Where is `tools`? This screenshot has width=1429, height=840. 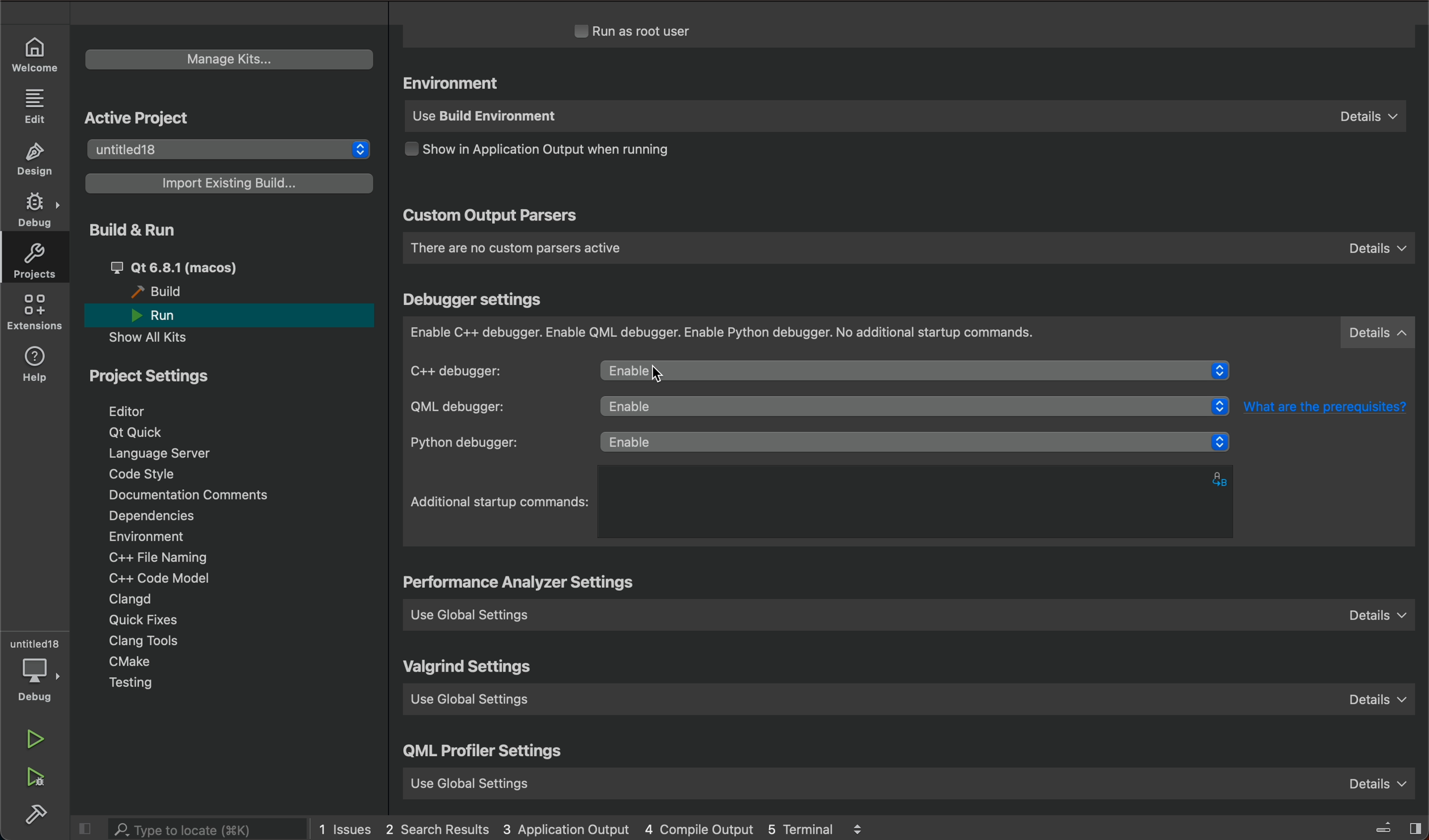 tools is located at coordinates (161, 642).